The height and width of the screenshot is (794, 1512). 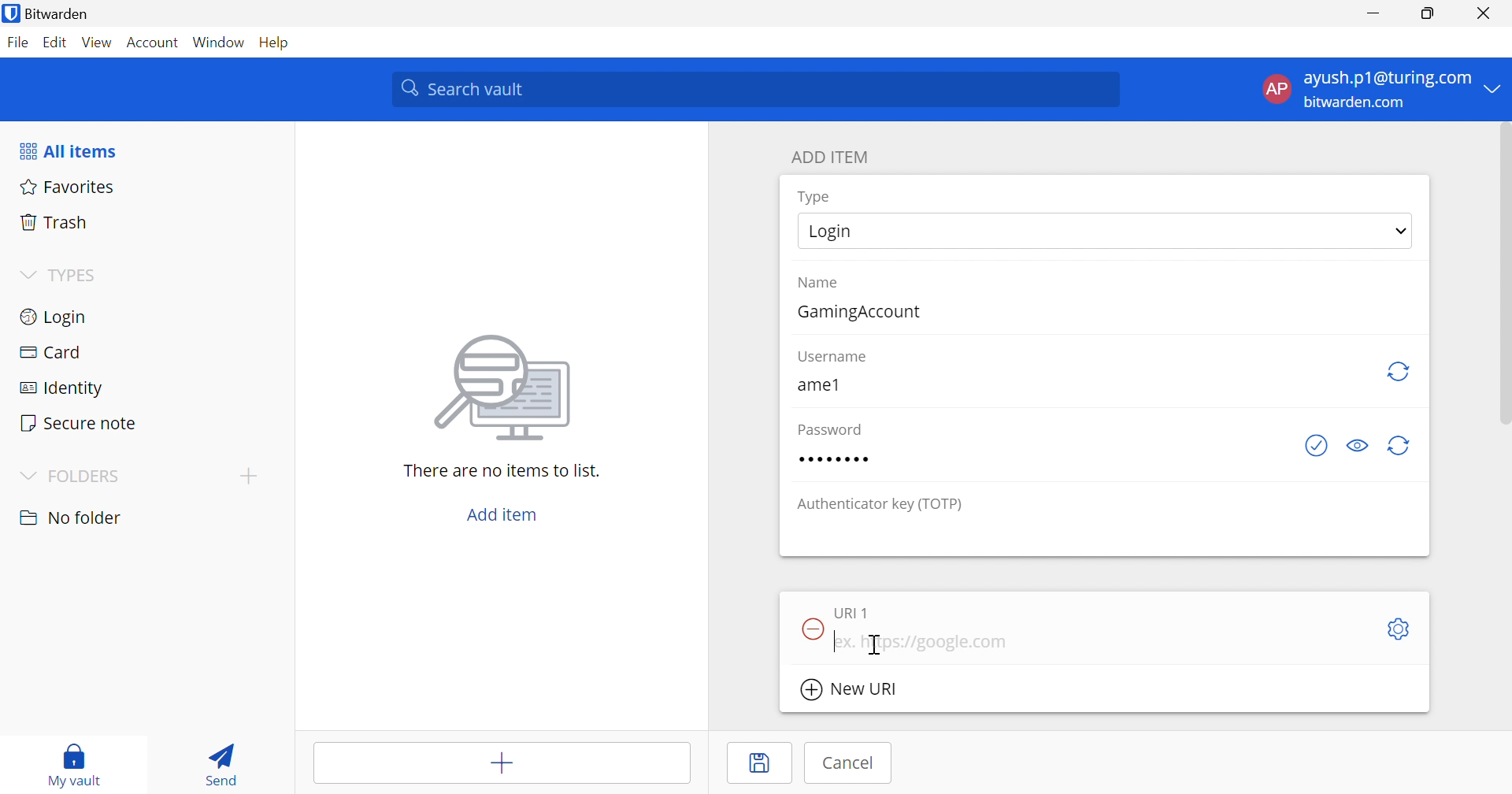 What do you see at coordinates (817, 384) in the screenshot?
I see `ame1` at bounding box center [817, 384].